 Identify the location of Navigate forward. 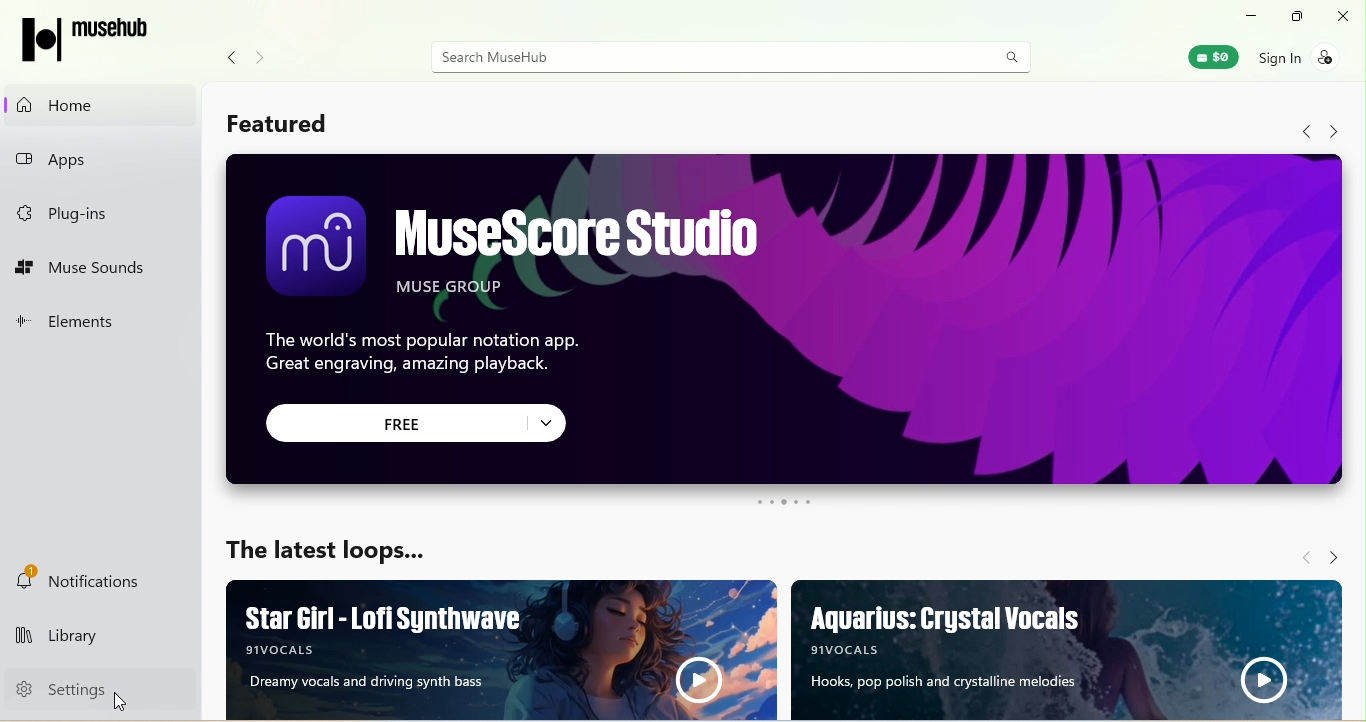
(264, 58).